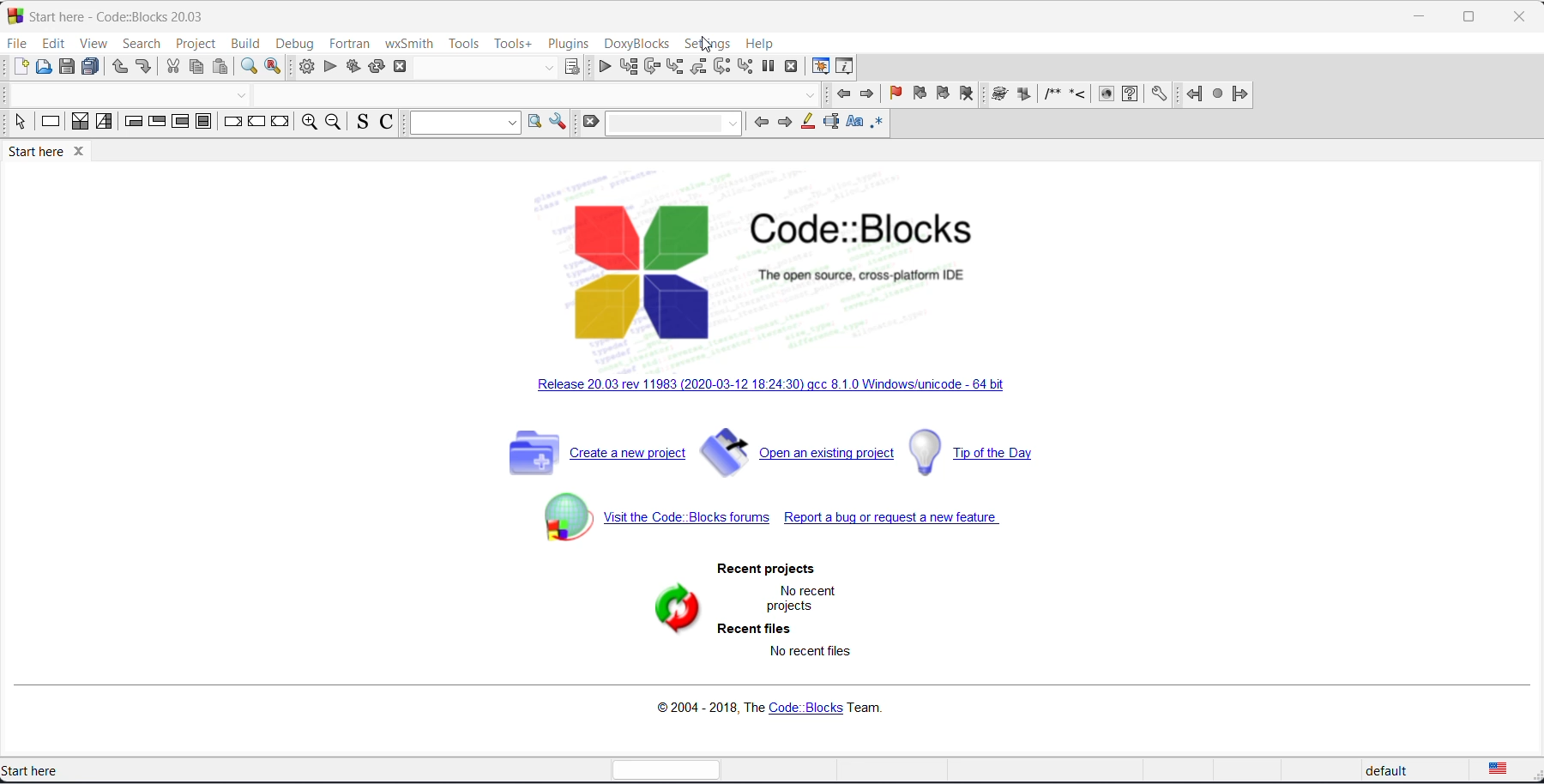  Describe the element at coordinates (80, 122) in the screenshot. I see `decision` at that location.